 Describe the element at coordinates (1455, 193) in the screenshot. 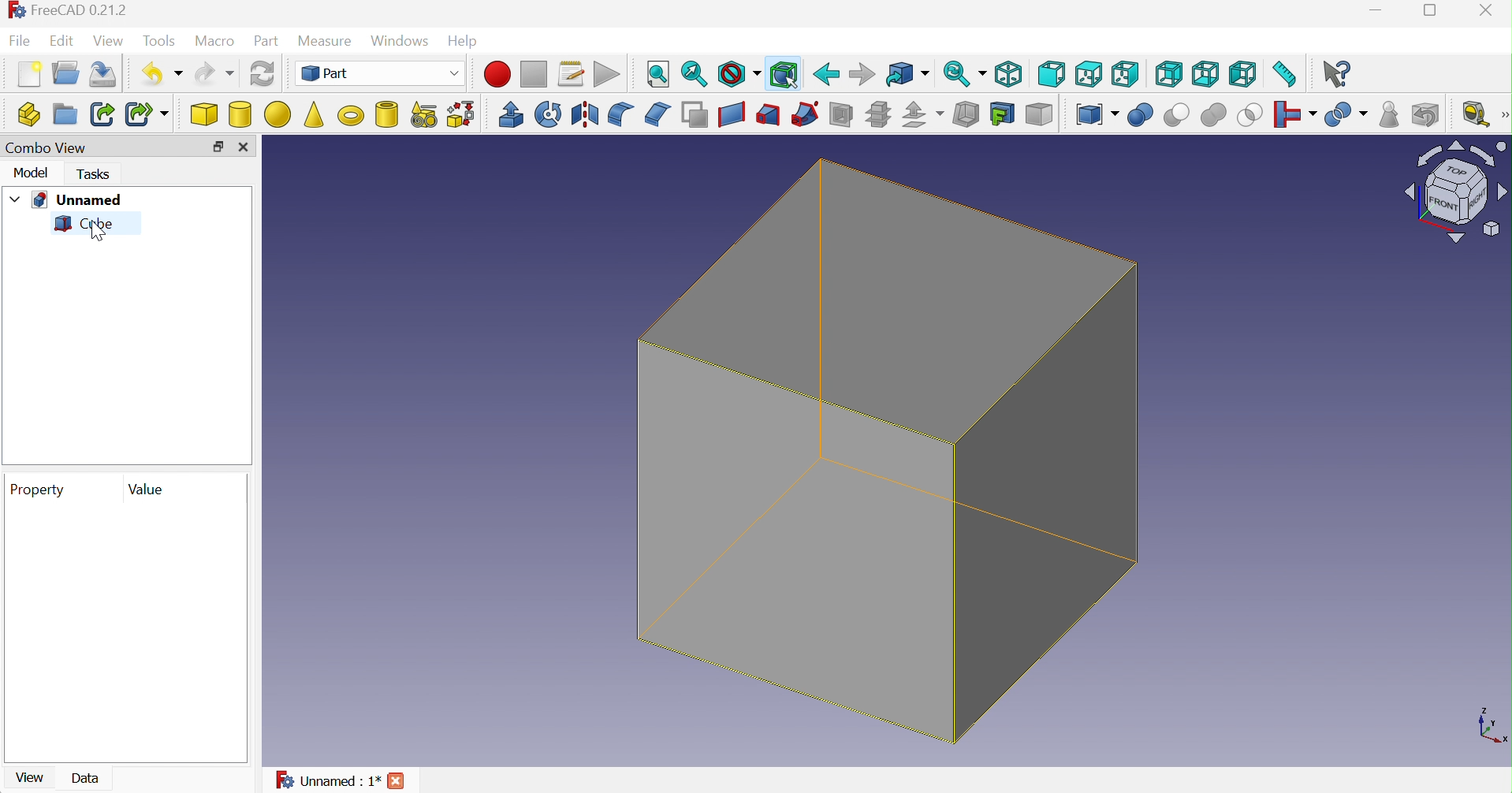

I see `Viewing angle` at that location.